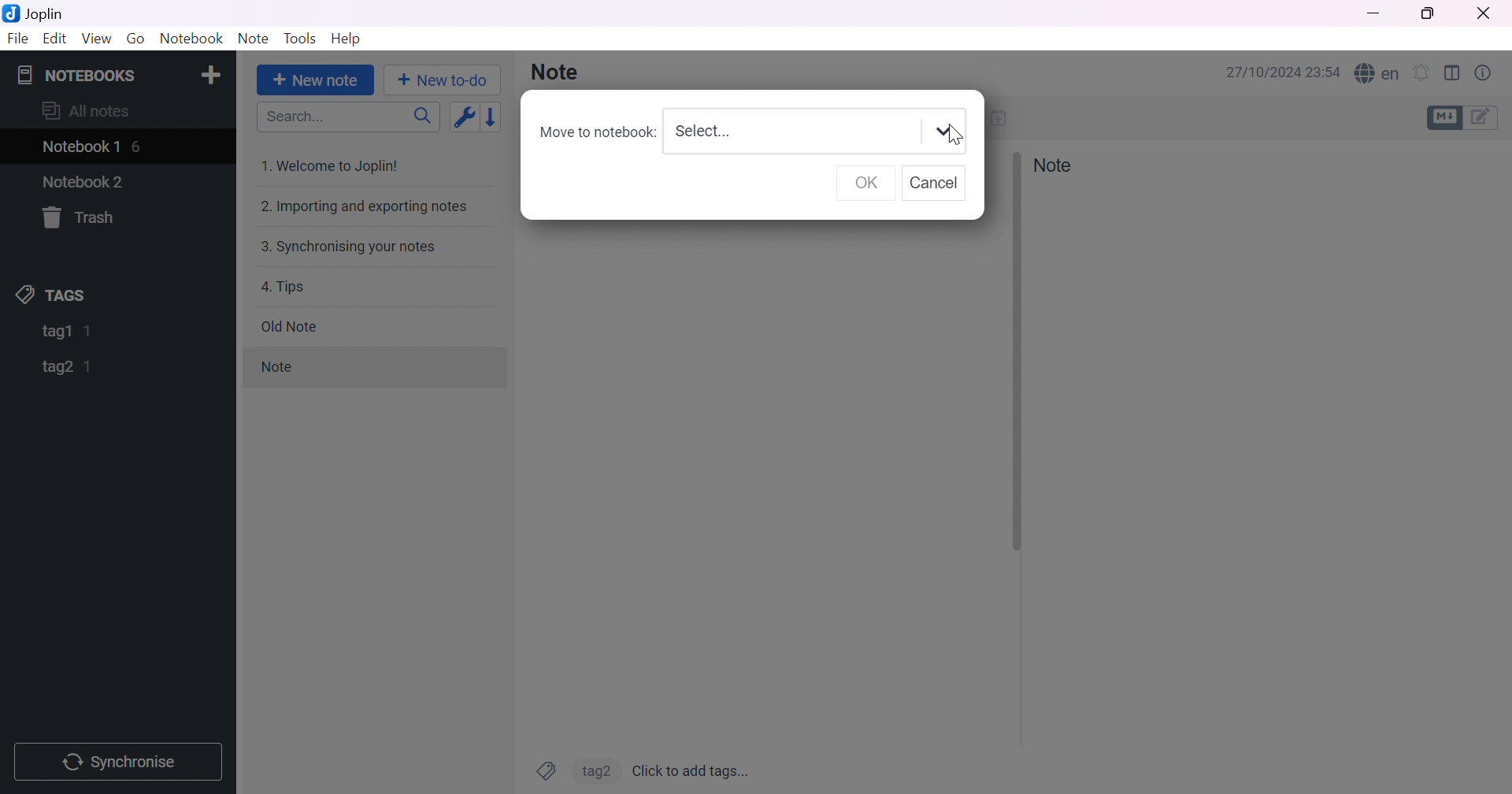 The width and height of the screenshot is (1512, 794). I want to click on Drop down, so click(943, 131).